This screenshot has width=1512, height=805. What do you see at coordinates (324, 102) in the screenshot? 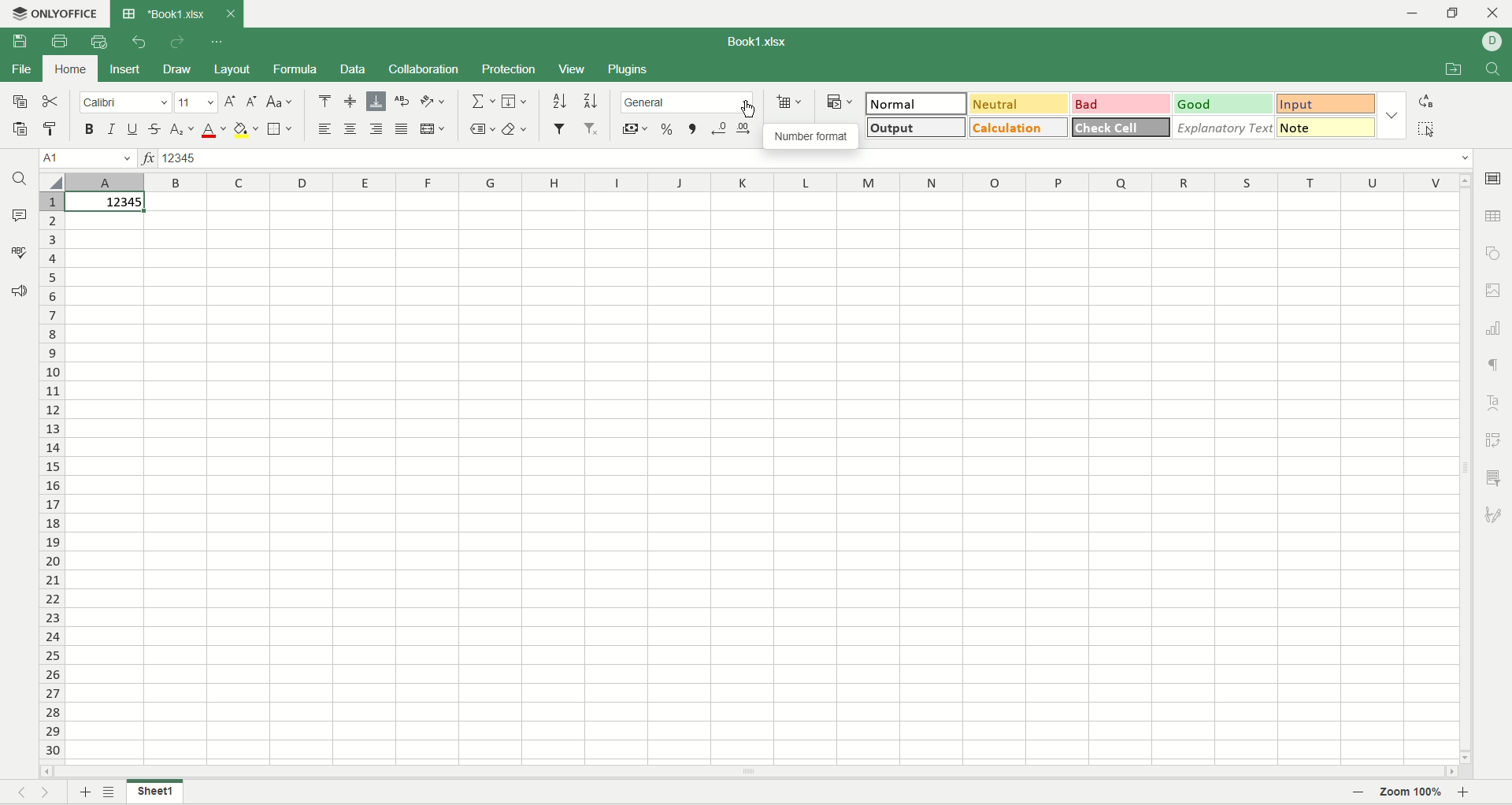
I see `align top` at bounding box center [324, 102].